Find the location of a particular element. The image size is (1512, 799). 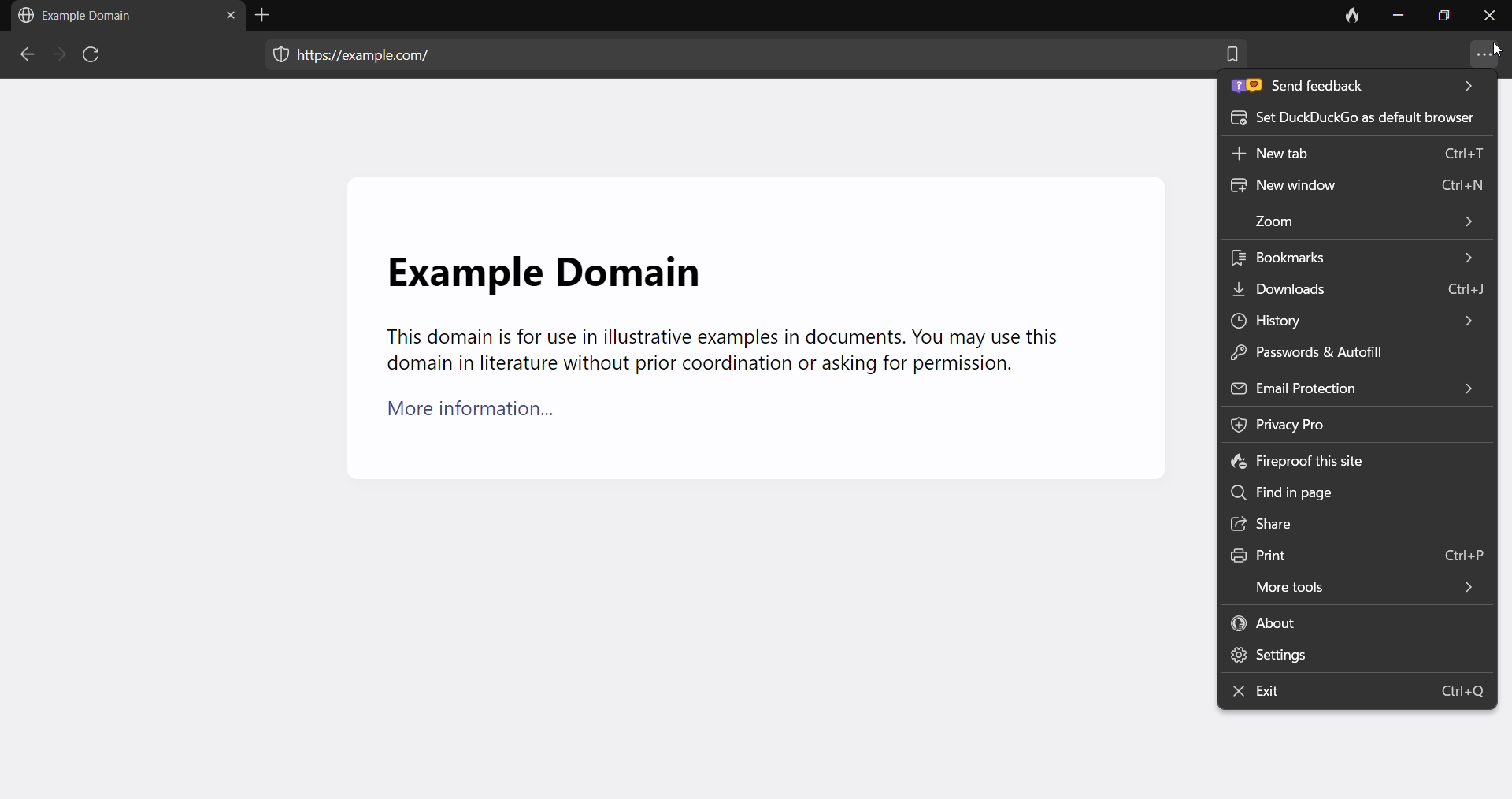

zoom is located at coordinates (1360, 221).